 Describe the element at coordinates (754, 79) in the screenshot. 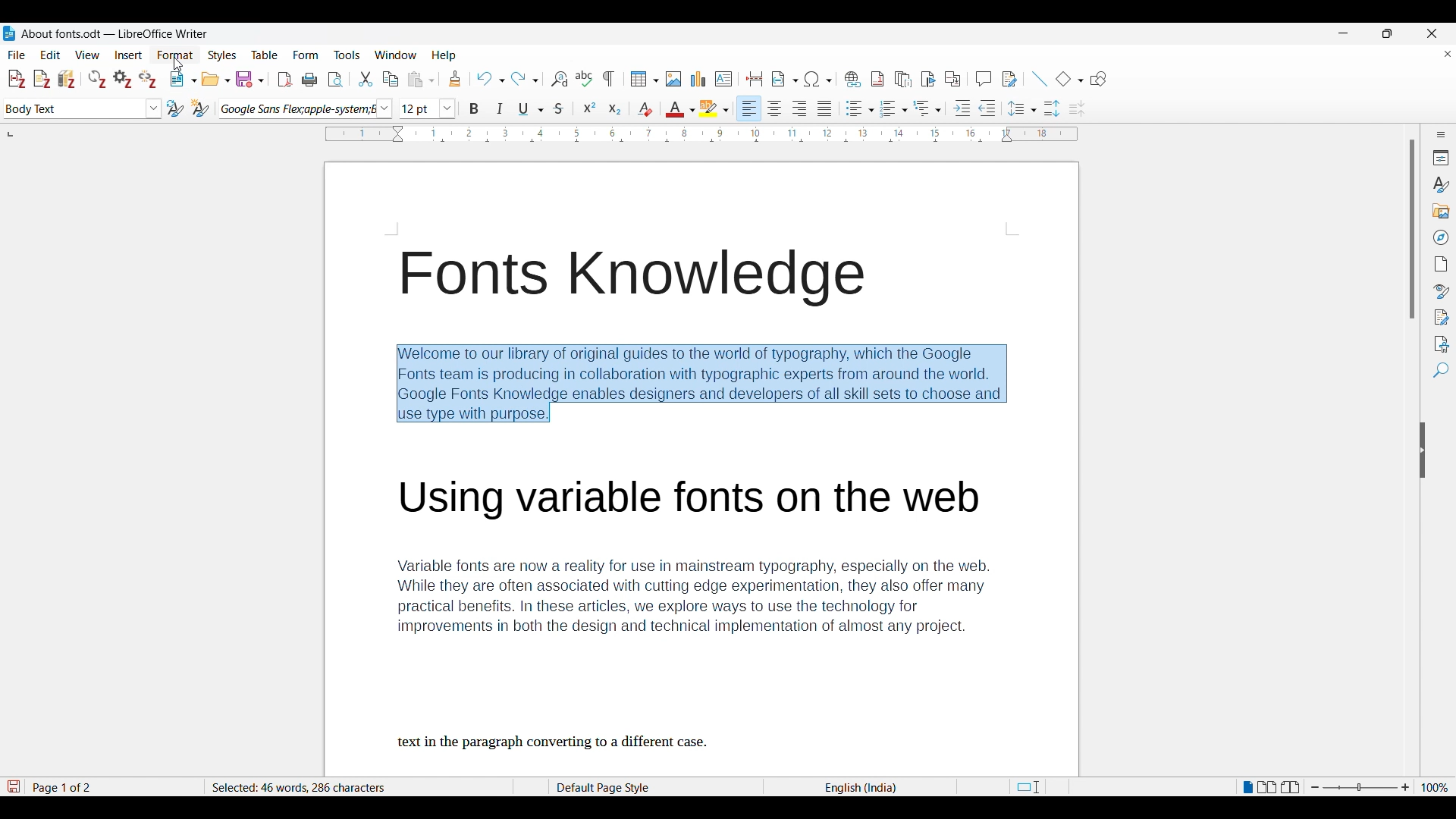

I see `Insert page break` at that location.